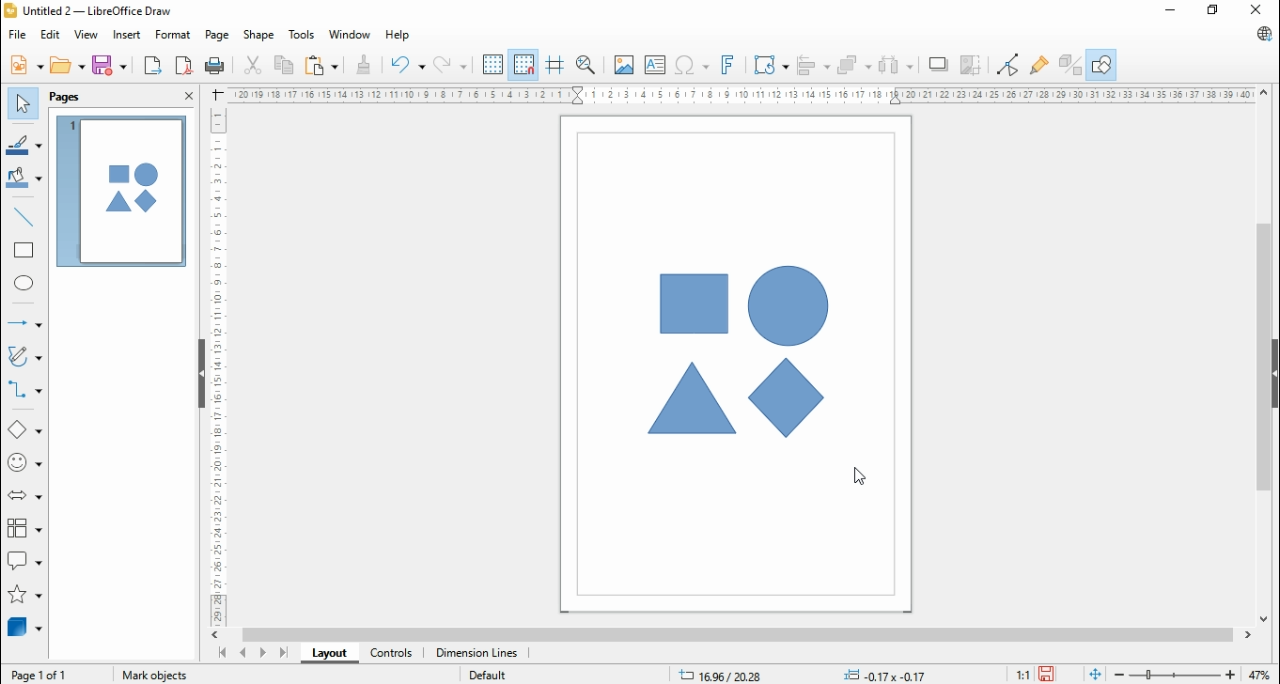  I want to click on select, so click(23, 104).